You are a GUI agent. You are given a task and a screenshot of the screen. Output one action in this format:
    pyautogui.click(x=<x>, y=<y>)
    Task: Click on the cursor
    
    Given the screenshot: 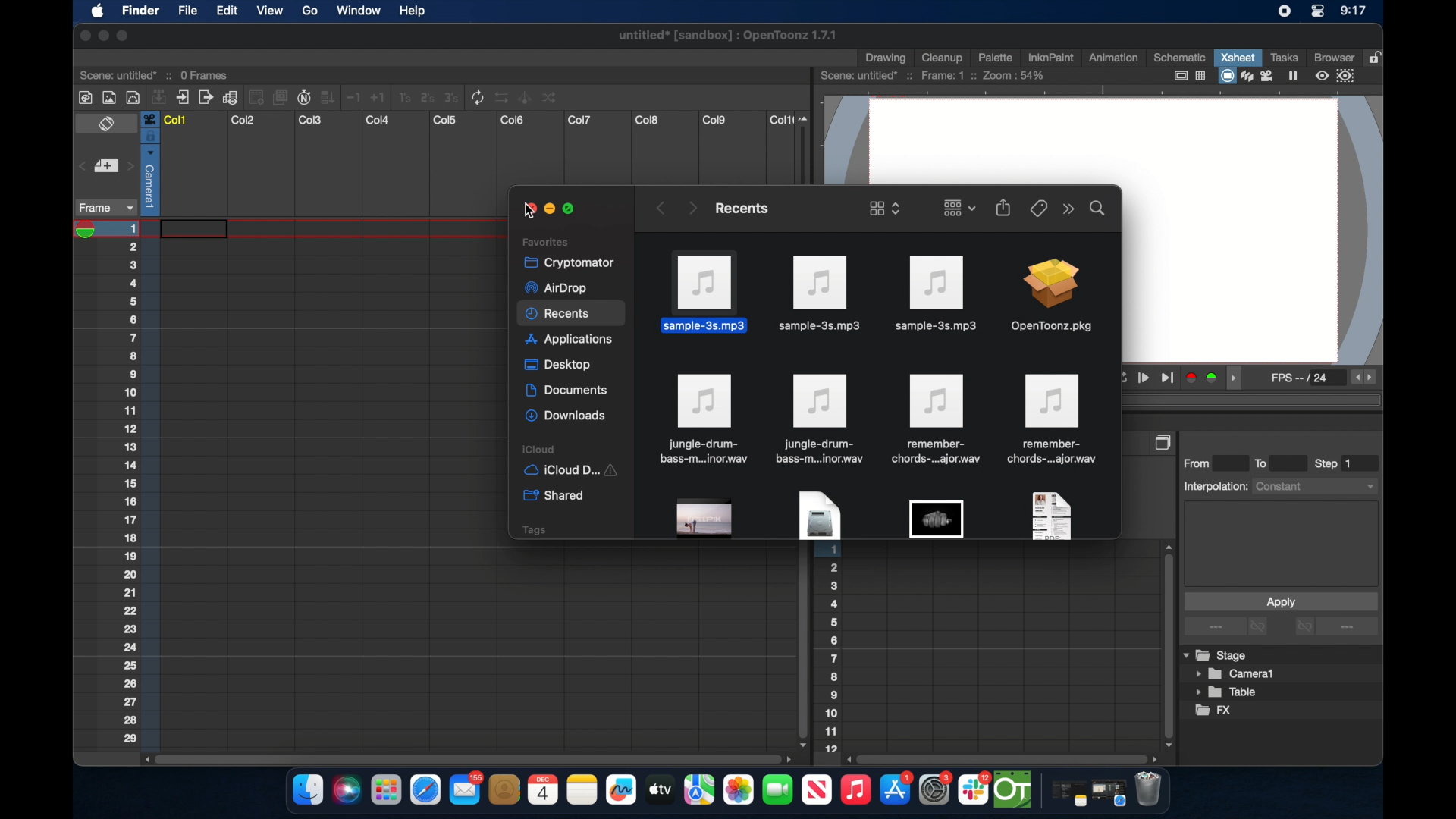 What is the action you would take?
    pyautogui.click(x=525, y=212)
    